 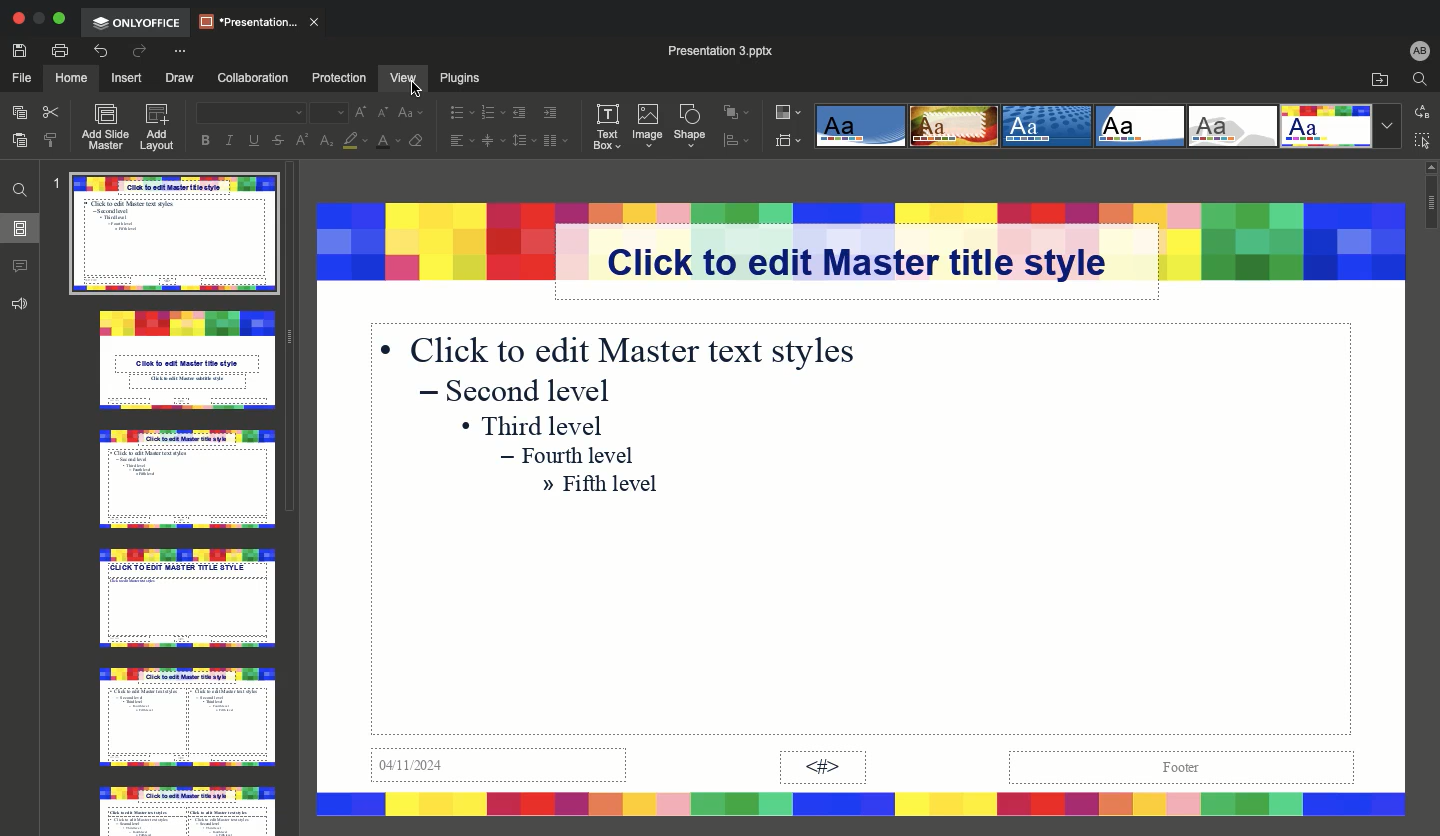 What do you see at coordinates (1384, 126) in the screenshot?
I see `More styles` at bounding box center [1384, 126].